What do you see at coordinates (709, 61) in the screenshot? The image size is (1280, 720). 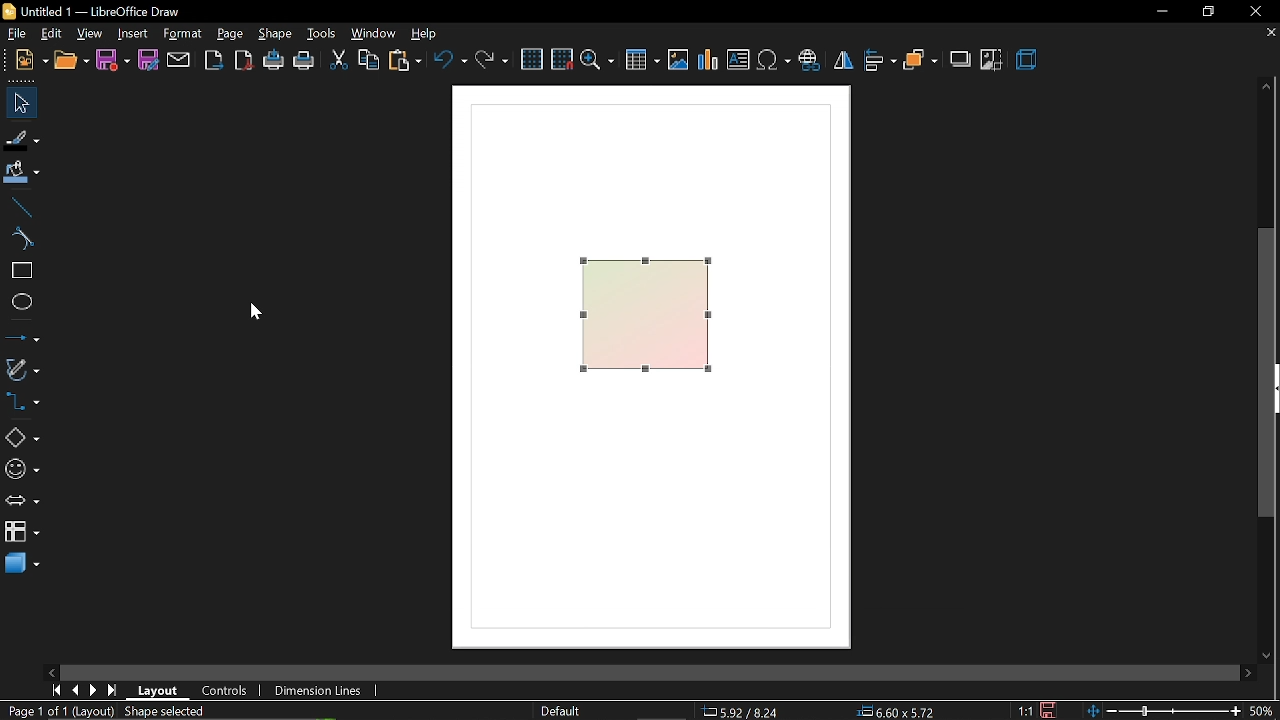 I see `Insert chart` at bounding box center [709, 61].